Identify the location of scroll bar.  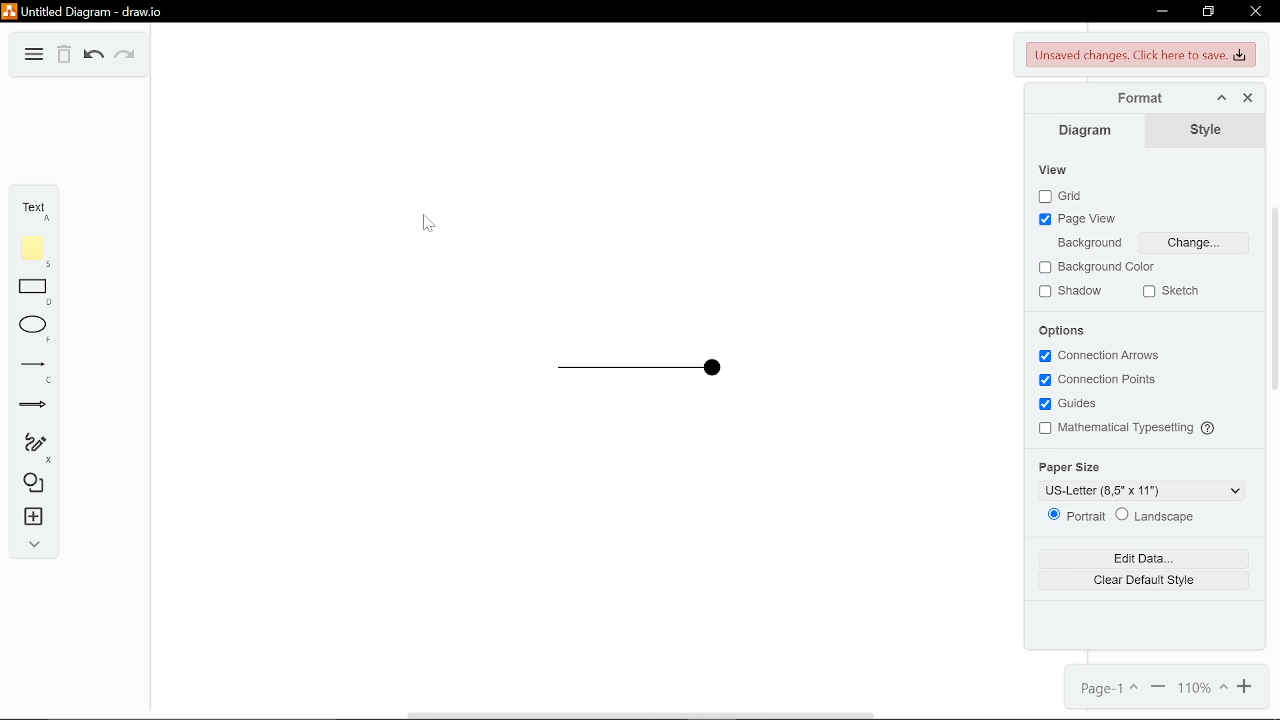
(1275, 300).